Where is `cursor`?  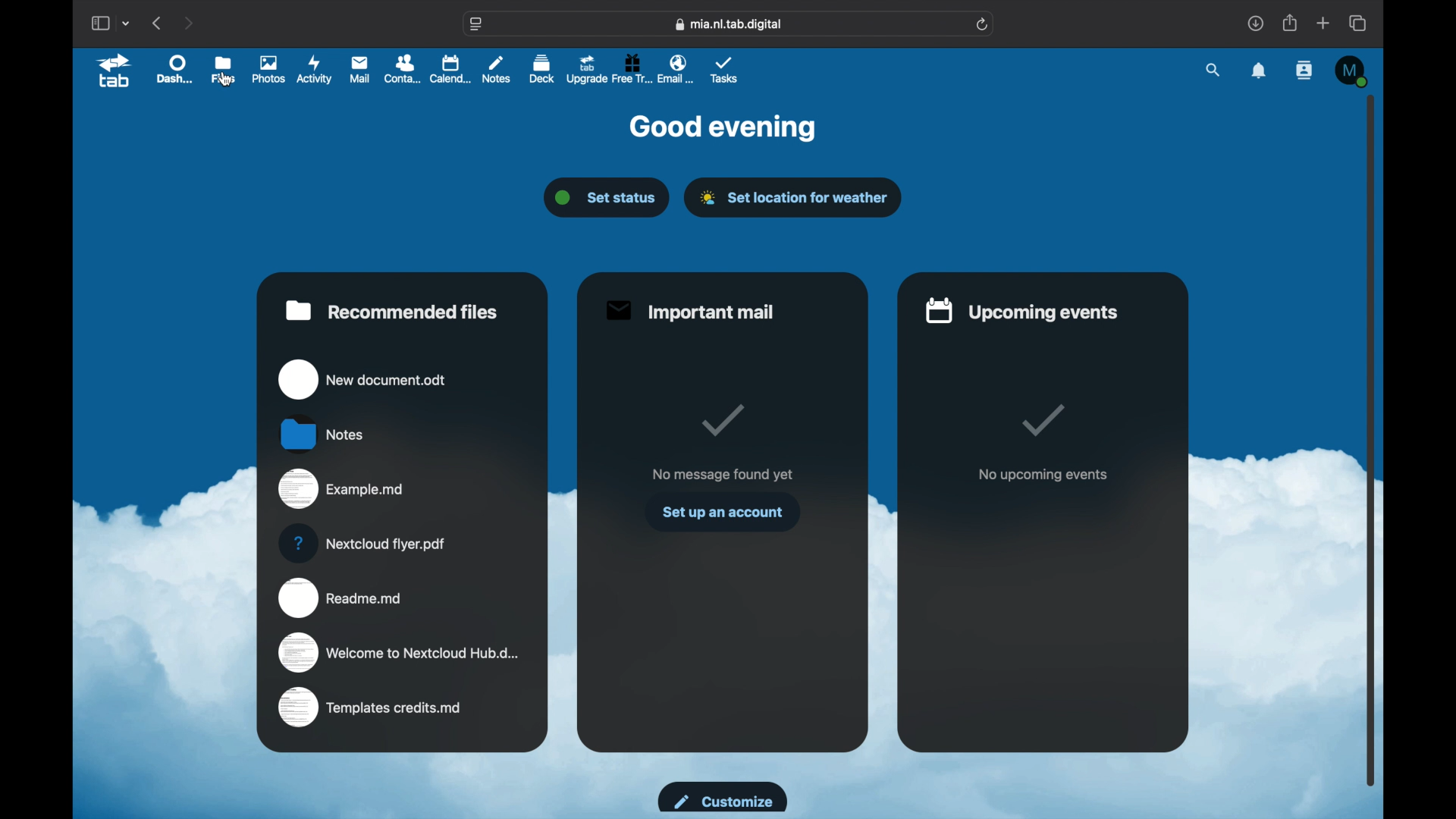
cursor is located at coordinates (225, 78).